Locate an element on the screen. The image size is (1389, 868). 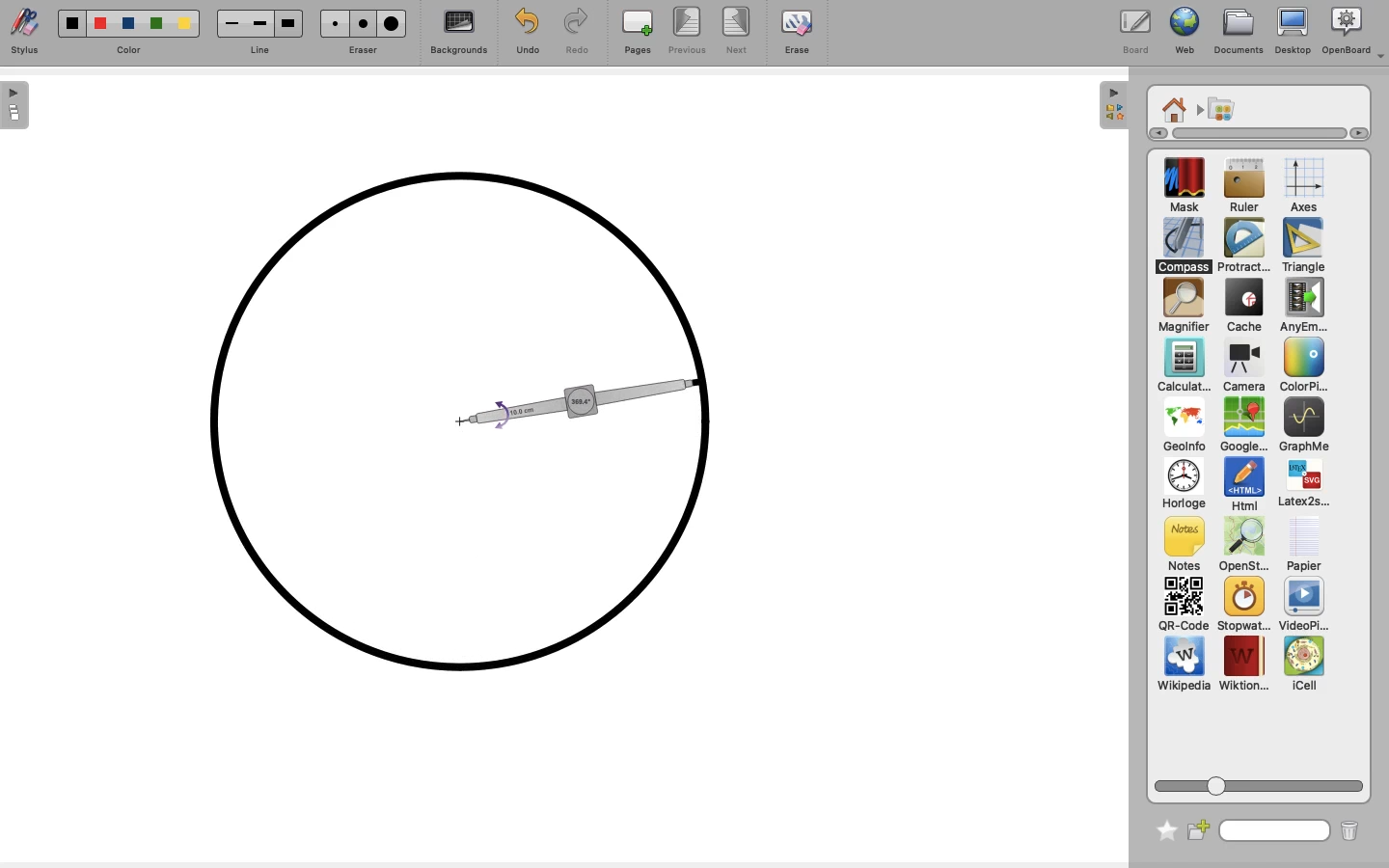
Applications is located at coordinates (1221, 110).